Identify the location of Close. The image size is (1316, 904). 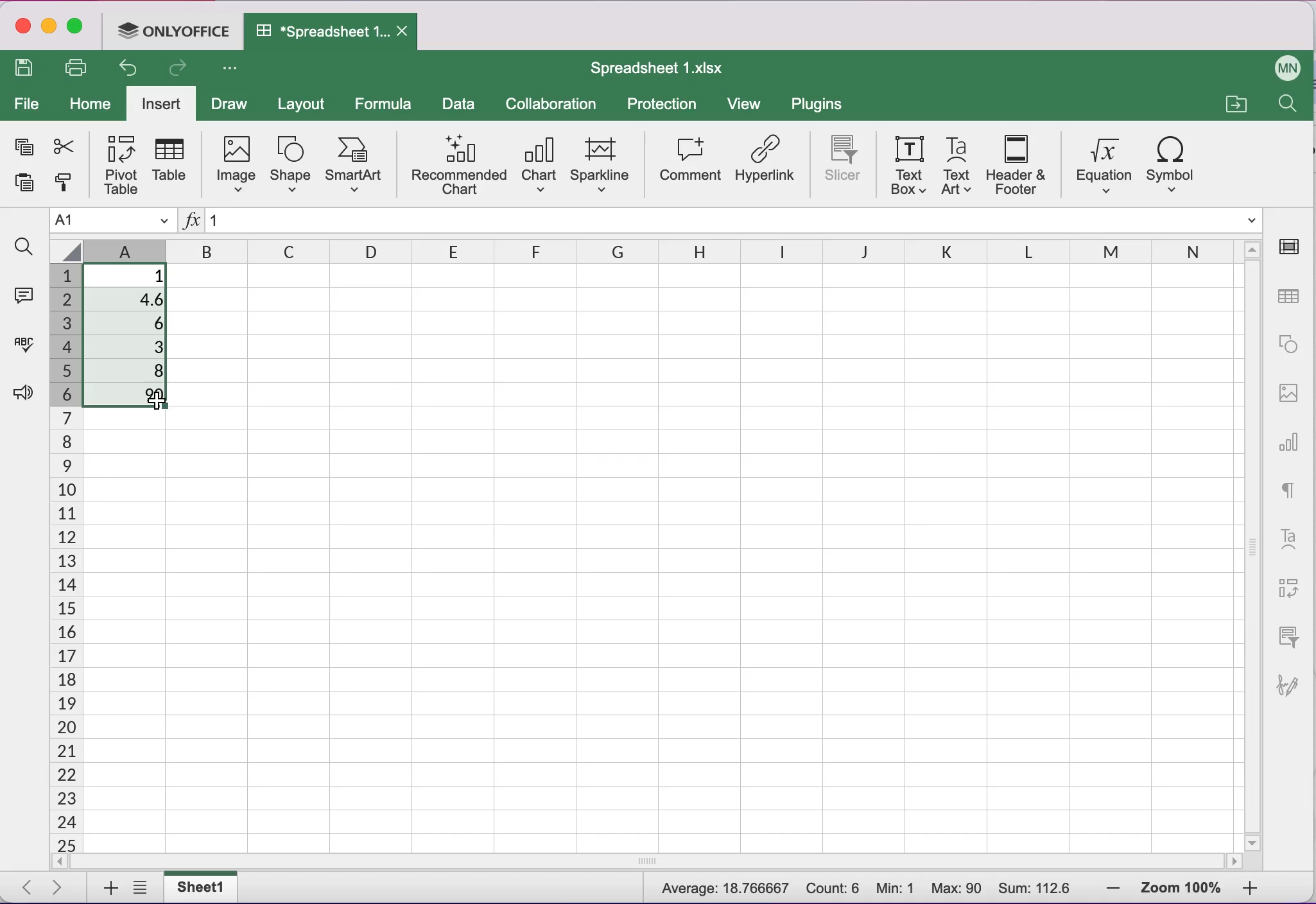
(407, 31).